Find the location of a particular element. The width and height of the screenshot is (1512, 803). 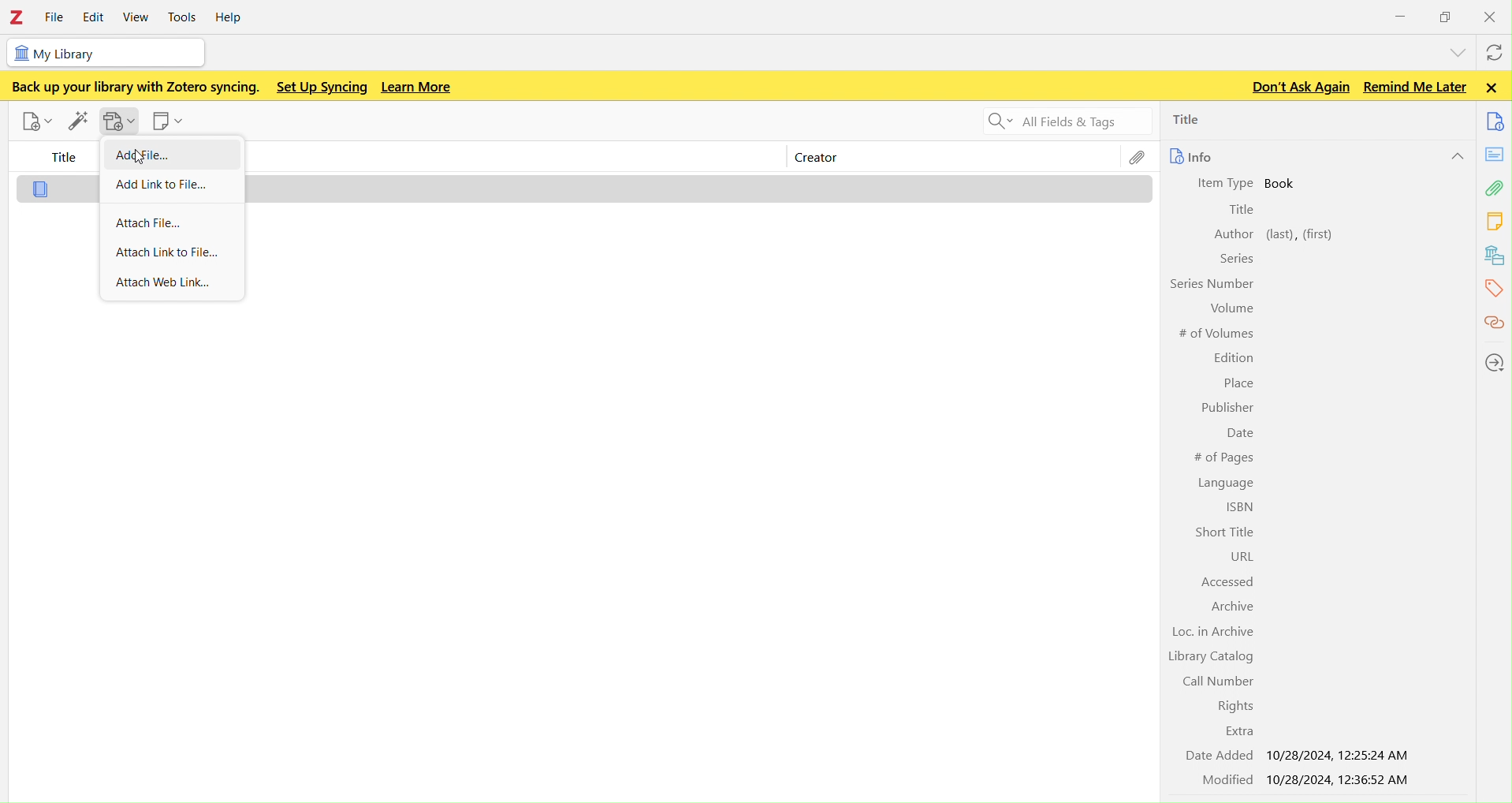

title is located at coordinates (1217, 120).